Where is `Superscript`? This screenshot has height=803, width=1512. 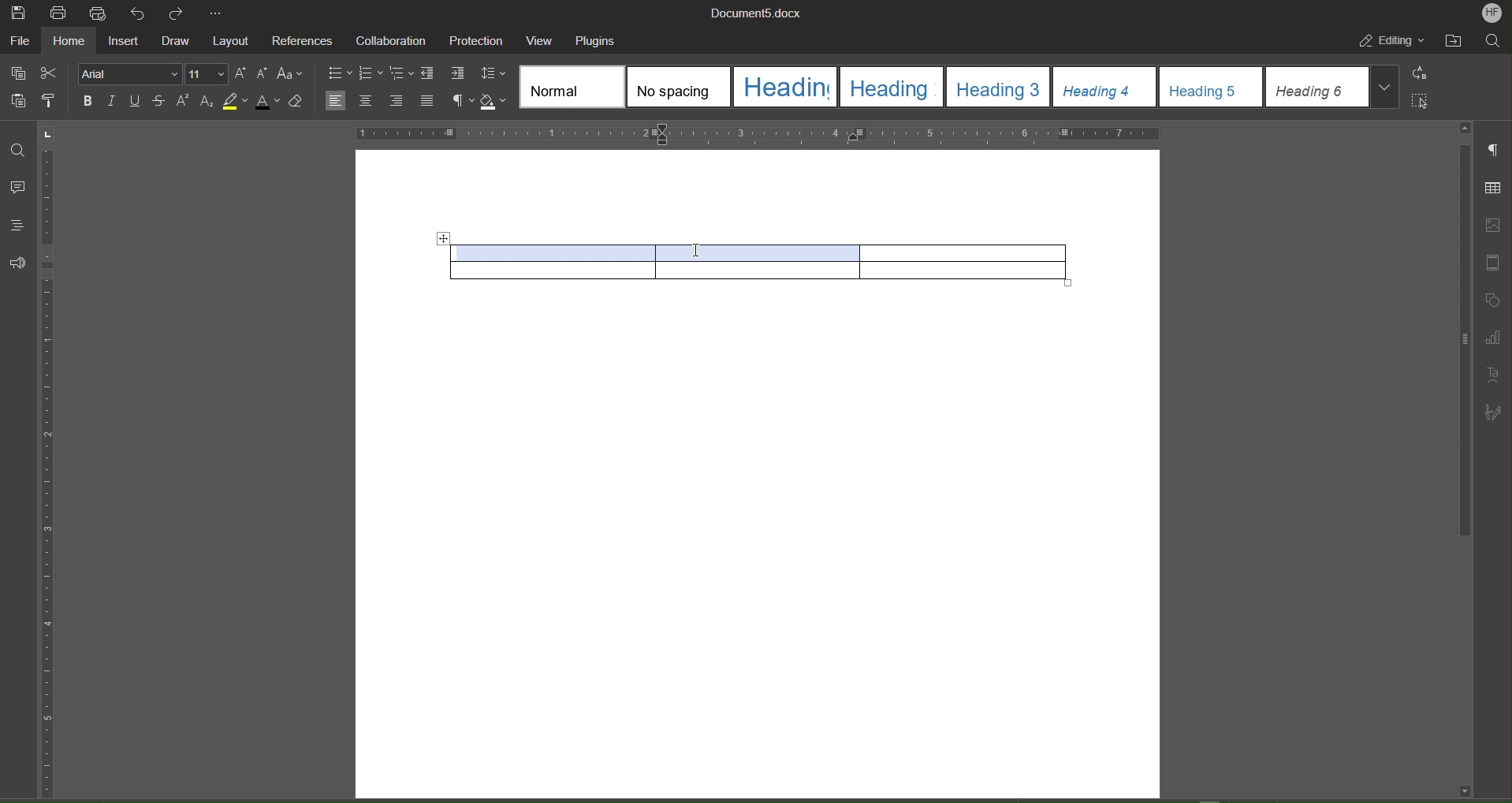 Superscript is located at coordinates (184, 102).